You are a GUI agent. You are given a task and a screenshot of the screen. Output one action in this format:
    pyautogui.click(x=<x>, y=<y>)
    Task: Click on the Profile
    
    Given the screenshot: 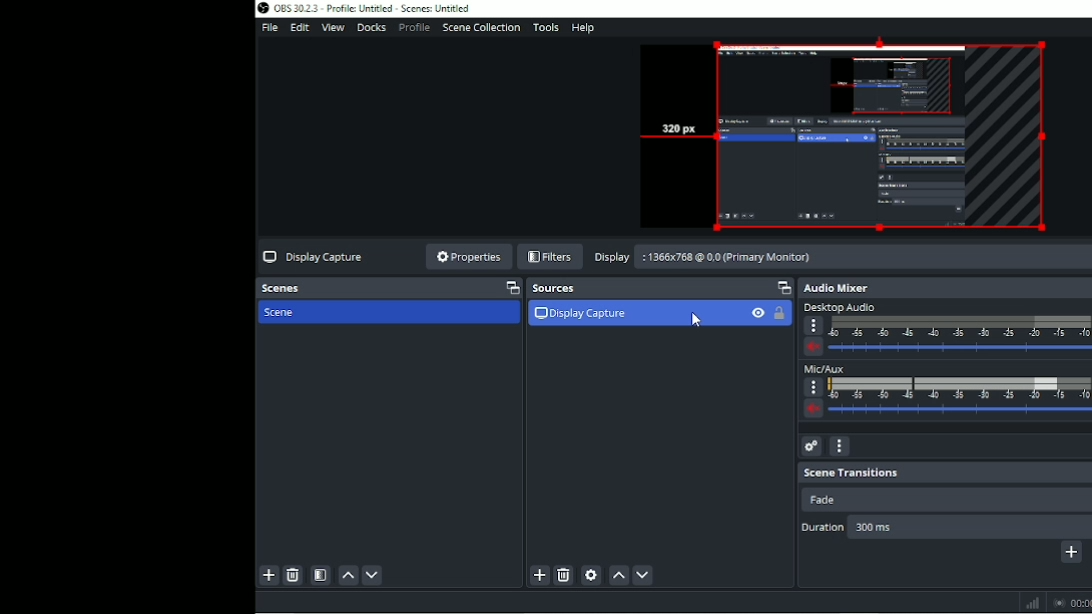 What is the action you would take?
    pyautogui.click(x=414, y=28)
    